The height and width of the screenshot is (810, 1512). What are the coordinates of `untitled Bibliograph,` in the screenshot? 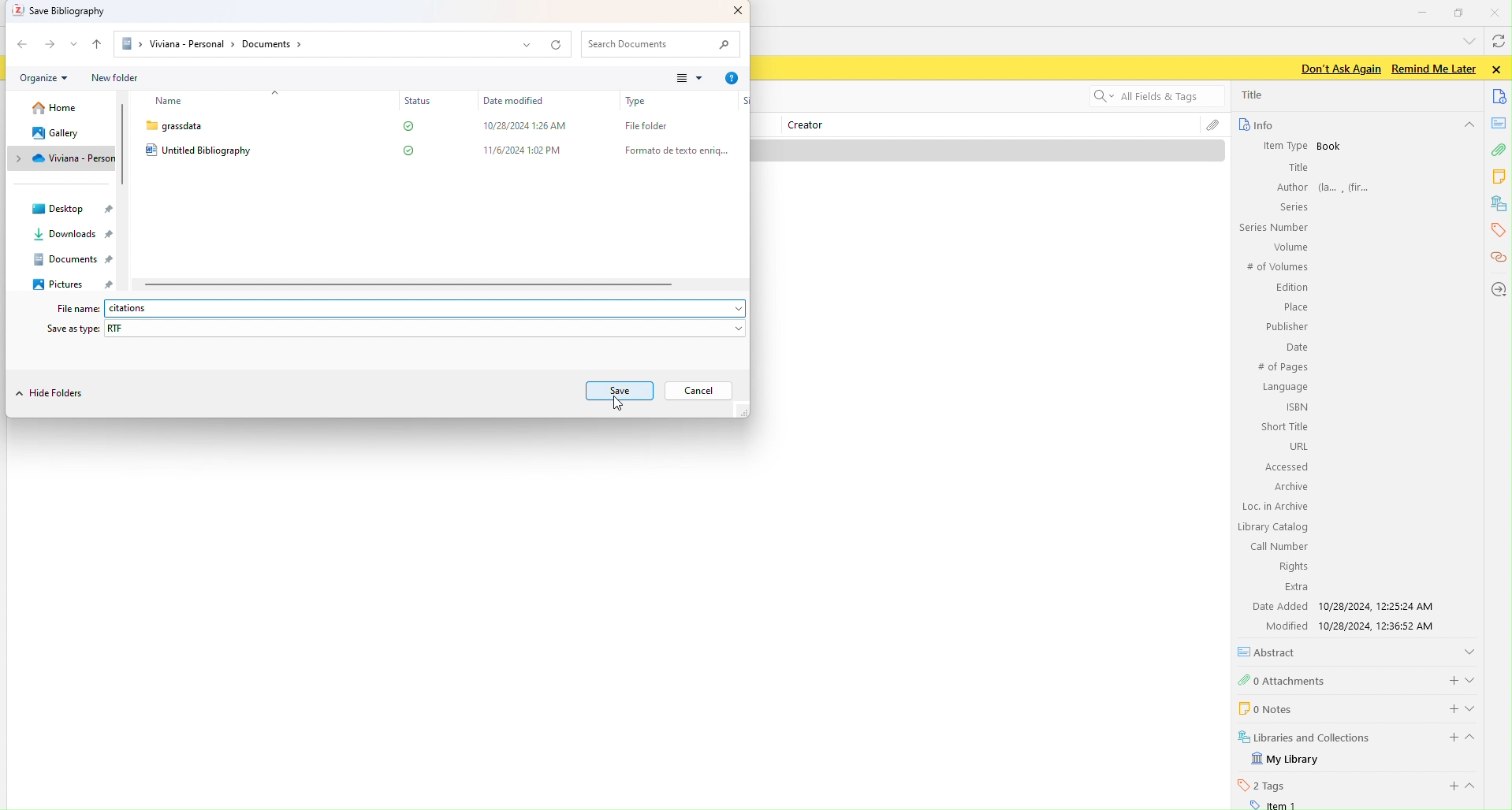 It's located at (157, 309).